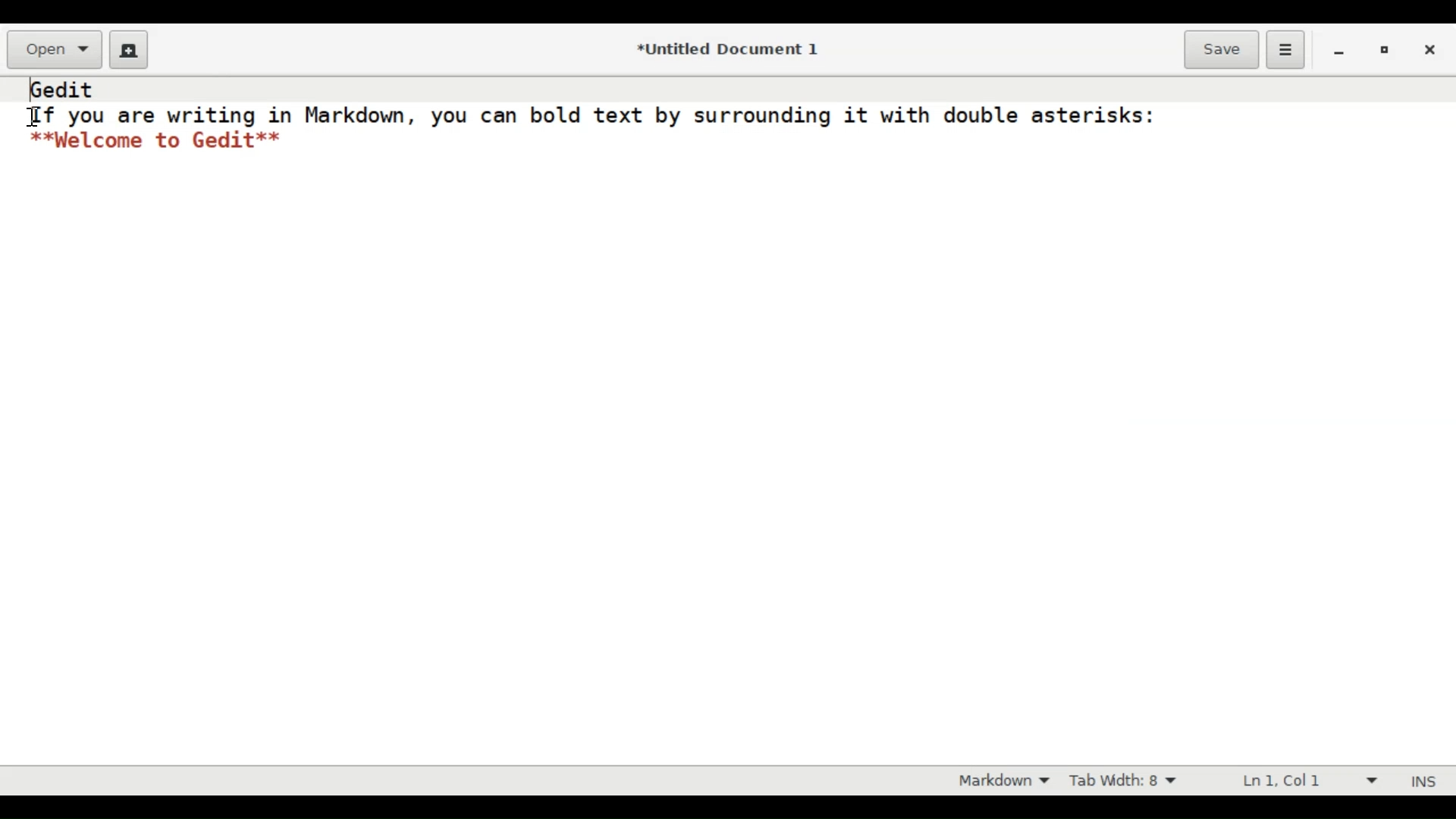 This screenshot has height=819, width=1456. What do you see at coordinates (126, 49) in the screenshot?
I see `Create a new File` at bounding box center [126, 49].